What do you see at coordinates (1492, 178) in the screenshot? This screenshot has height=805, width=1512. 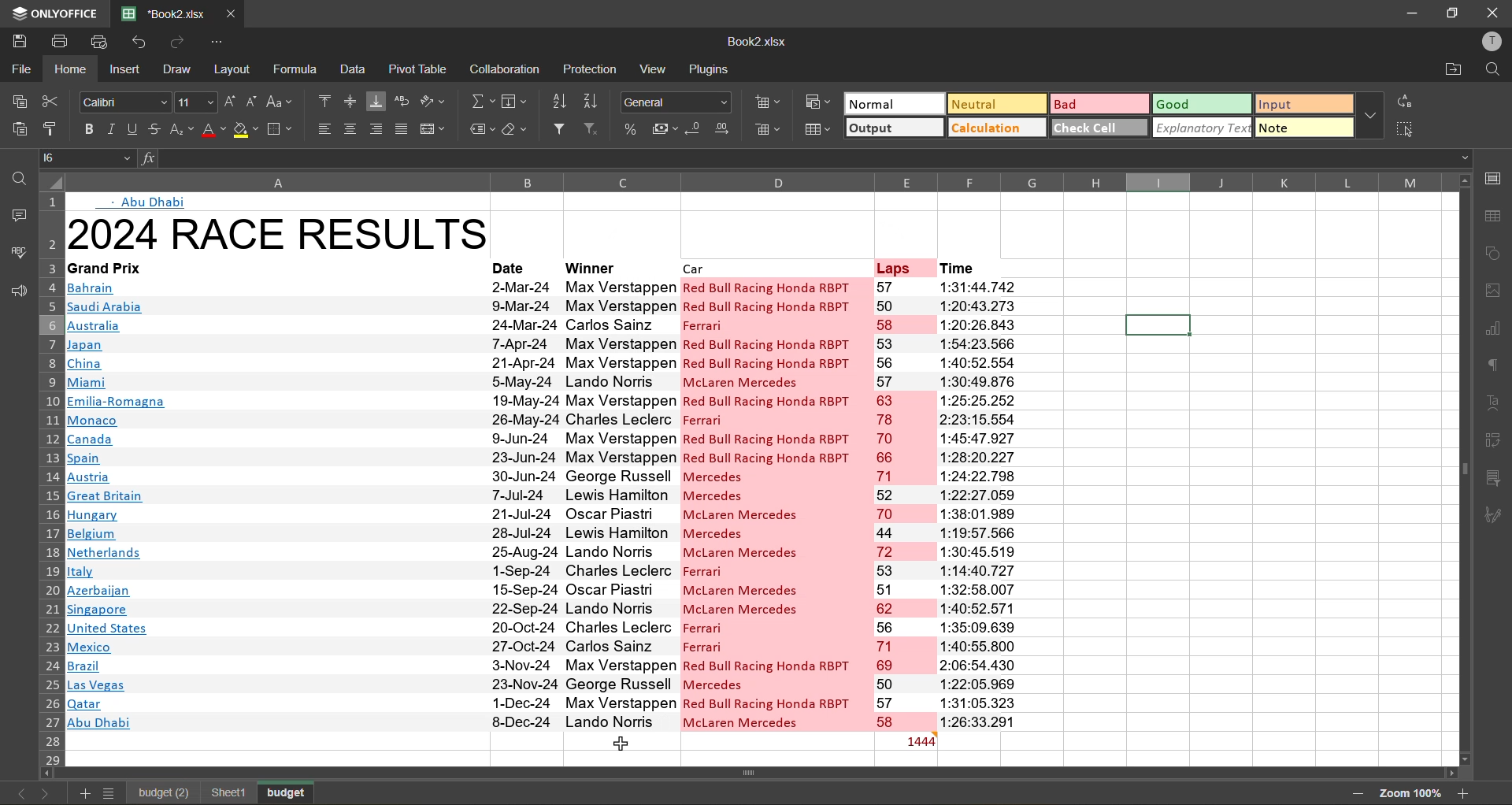 I see `call settings` at bounding box center [1492, 178].